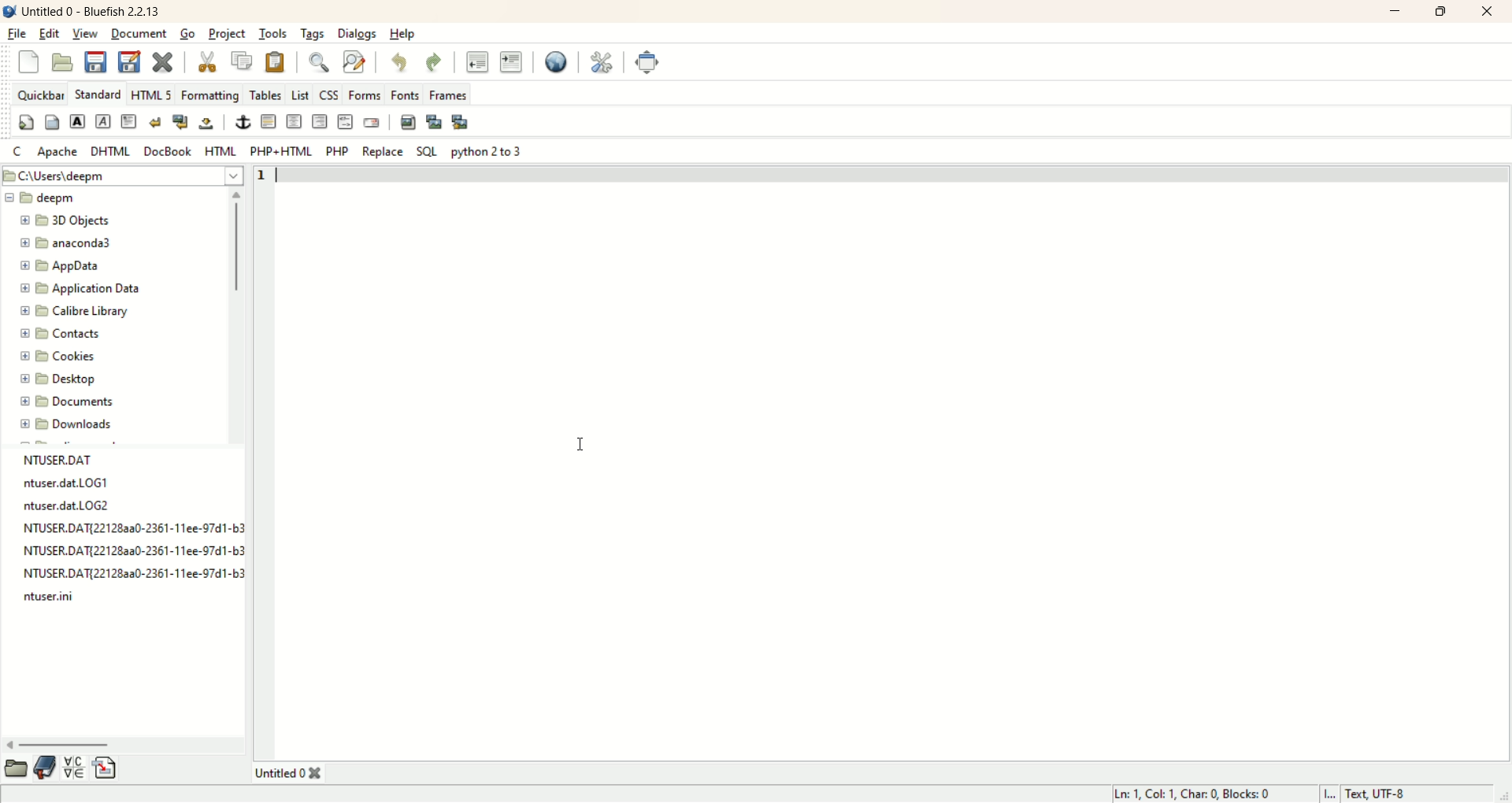  I want to click on copy, so click(243, 60).